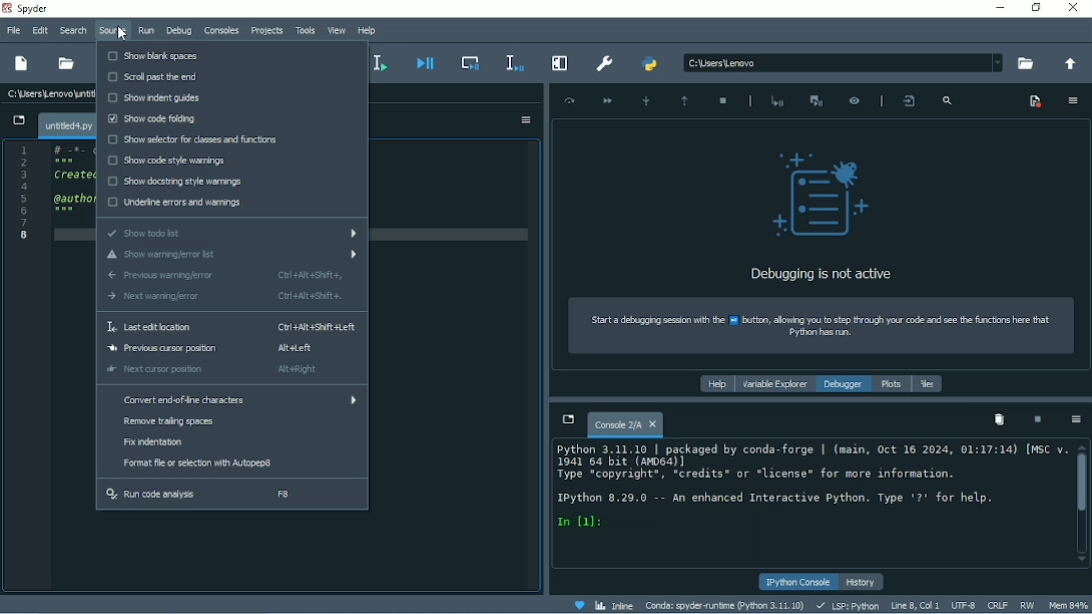 The height and width of the screenshot is (614, 1092). Describe the element at coordinates (949, 100) in the screenshot. I see `Search frames` at that location.